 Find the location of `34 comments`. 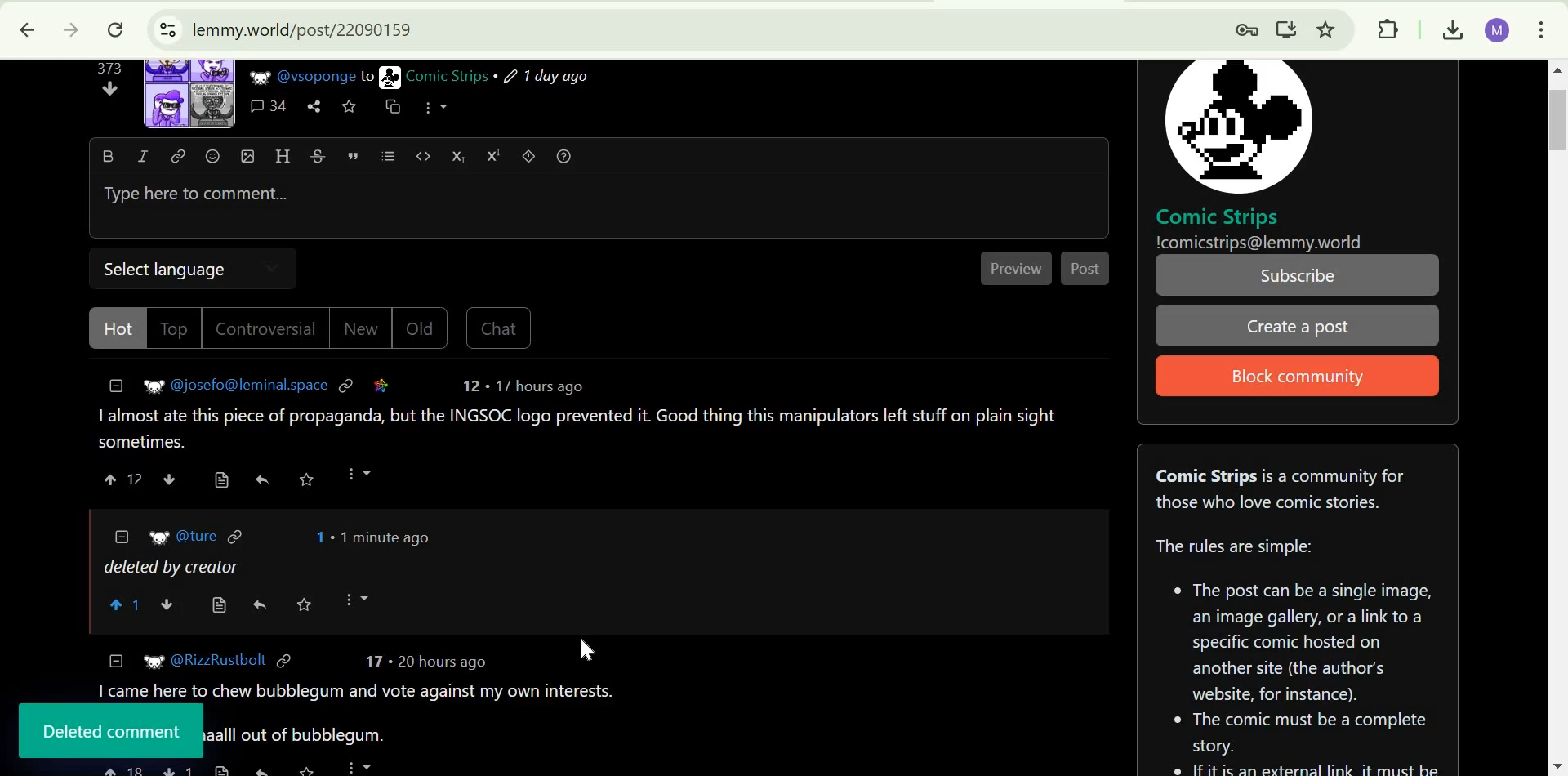

34 comments is located at coordinates (269, 107).